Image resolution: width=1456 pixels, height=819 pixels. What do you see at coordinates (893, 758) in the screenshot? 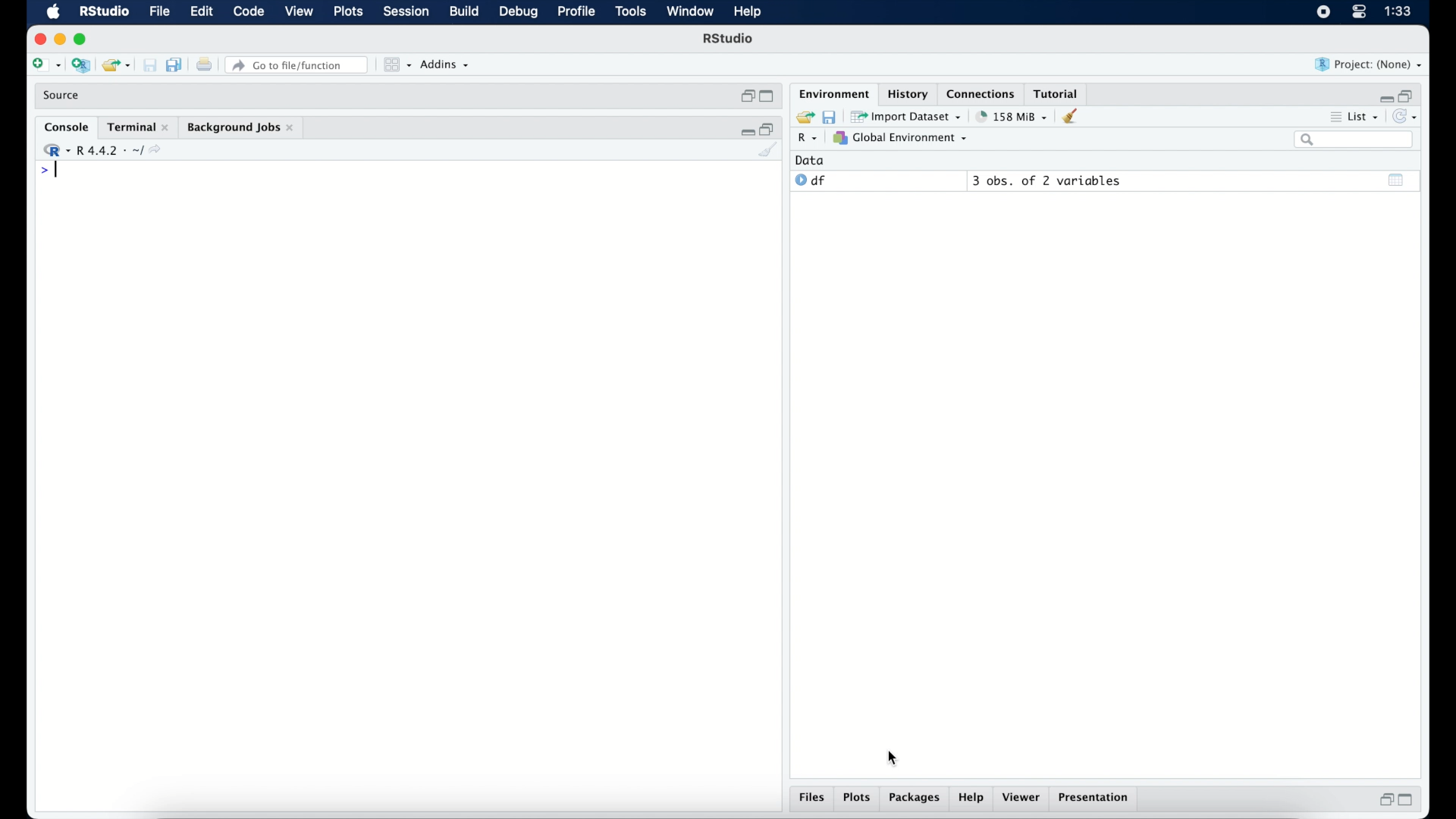
I see `cursor` at bounding box center [893, 758].